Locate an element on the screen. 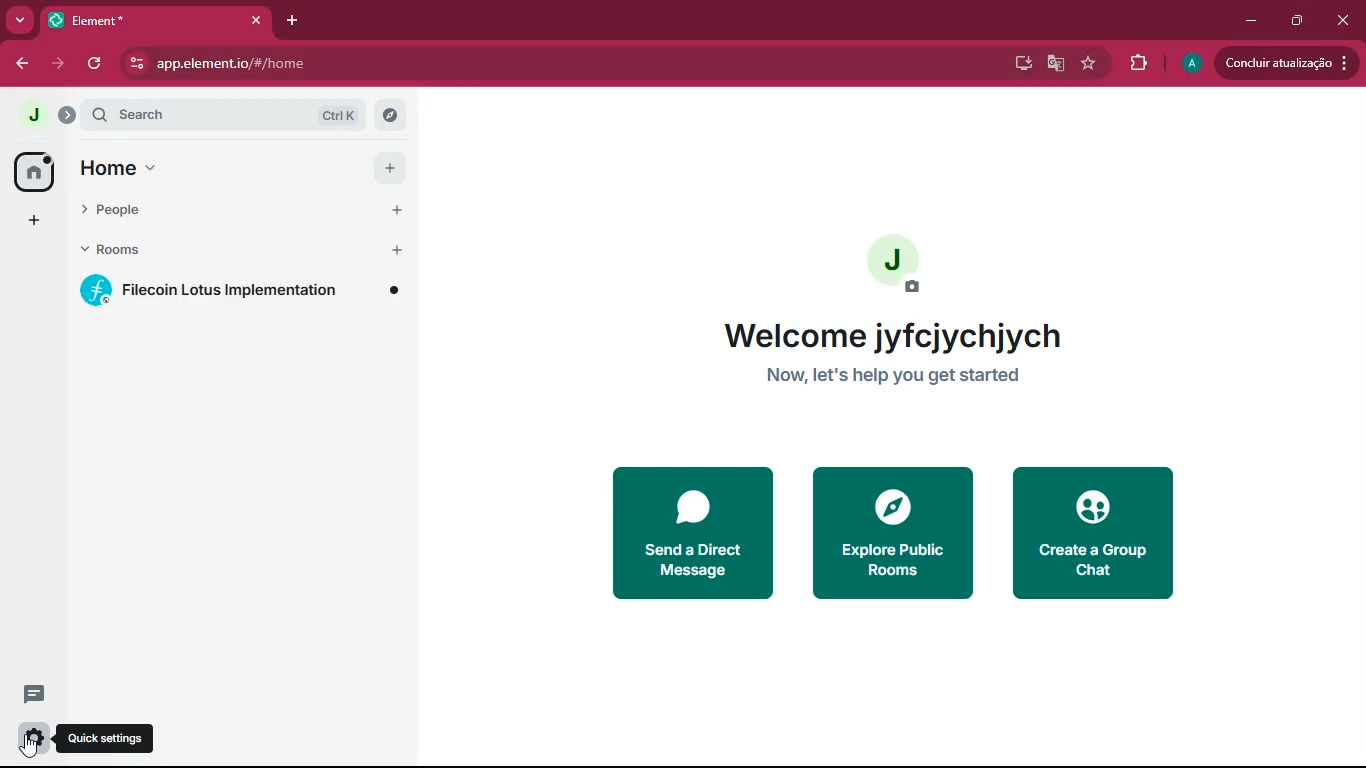 The width and height of the screenshot is (1366, 768). welcome jyfcjychjych is located at coordinates (896, 335).